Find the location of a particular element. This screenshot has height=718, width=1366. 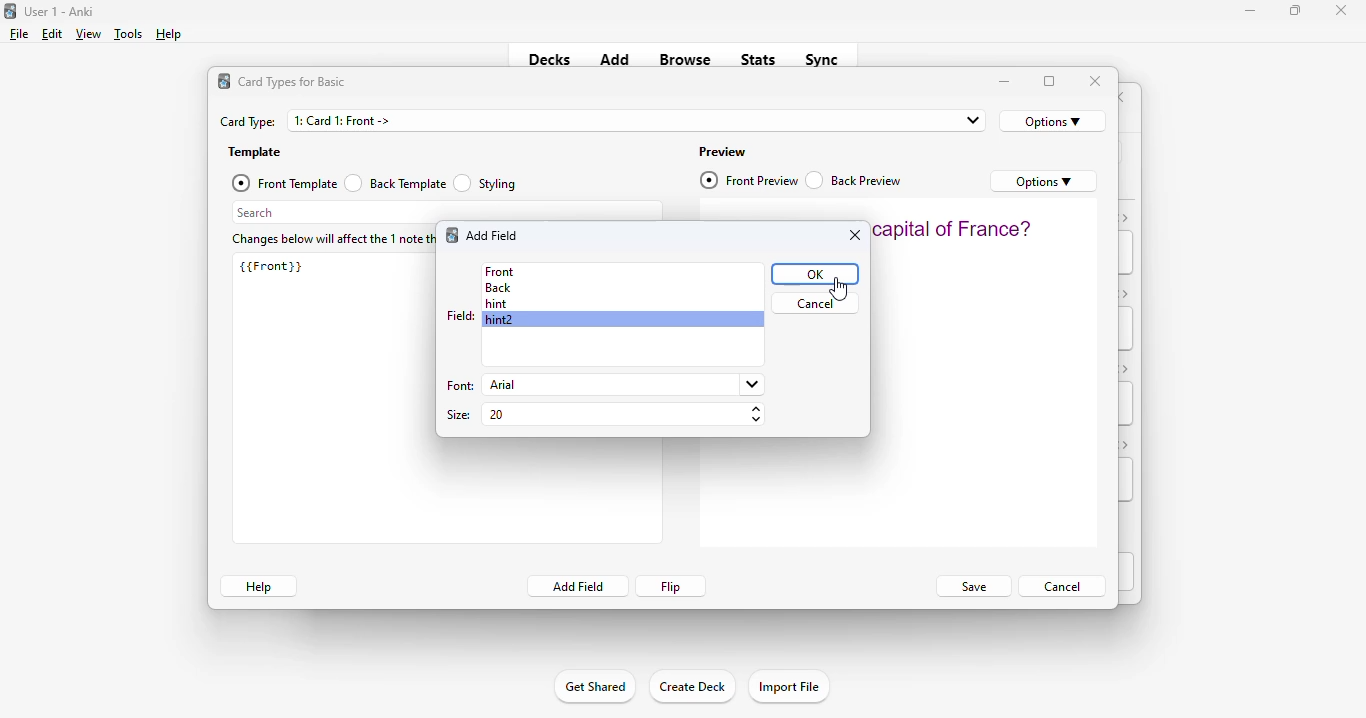

decks is located at coordinates (550, 59).